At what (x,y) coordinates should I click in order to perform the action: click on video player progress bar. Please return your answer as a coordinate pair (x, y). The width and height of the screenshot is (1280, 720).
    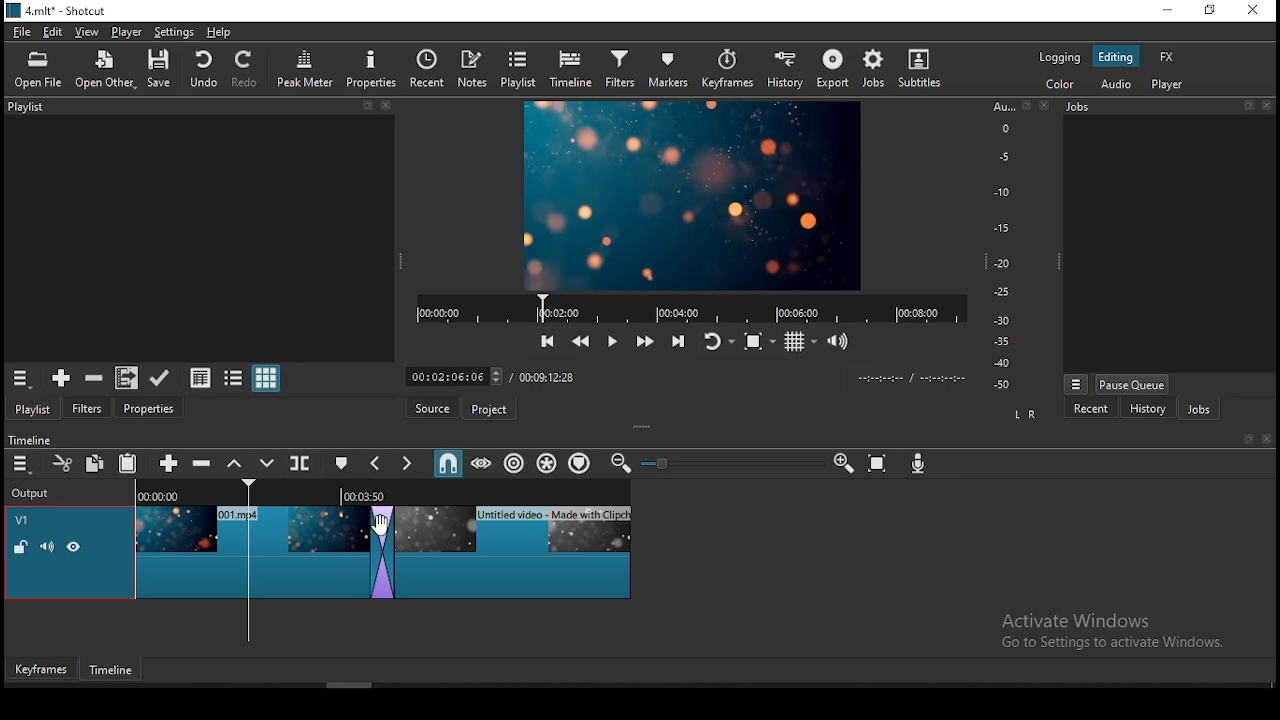
    Looking at the image, I should click on (690, 307).